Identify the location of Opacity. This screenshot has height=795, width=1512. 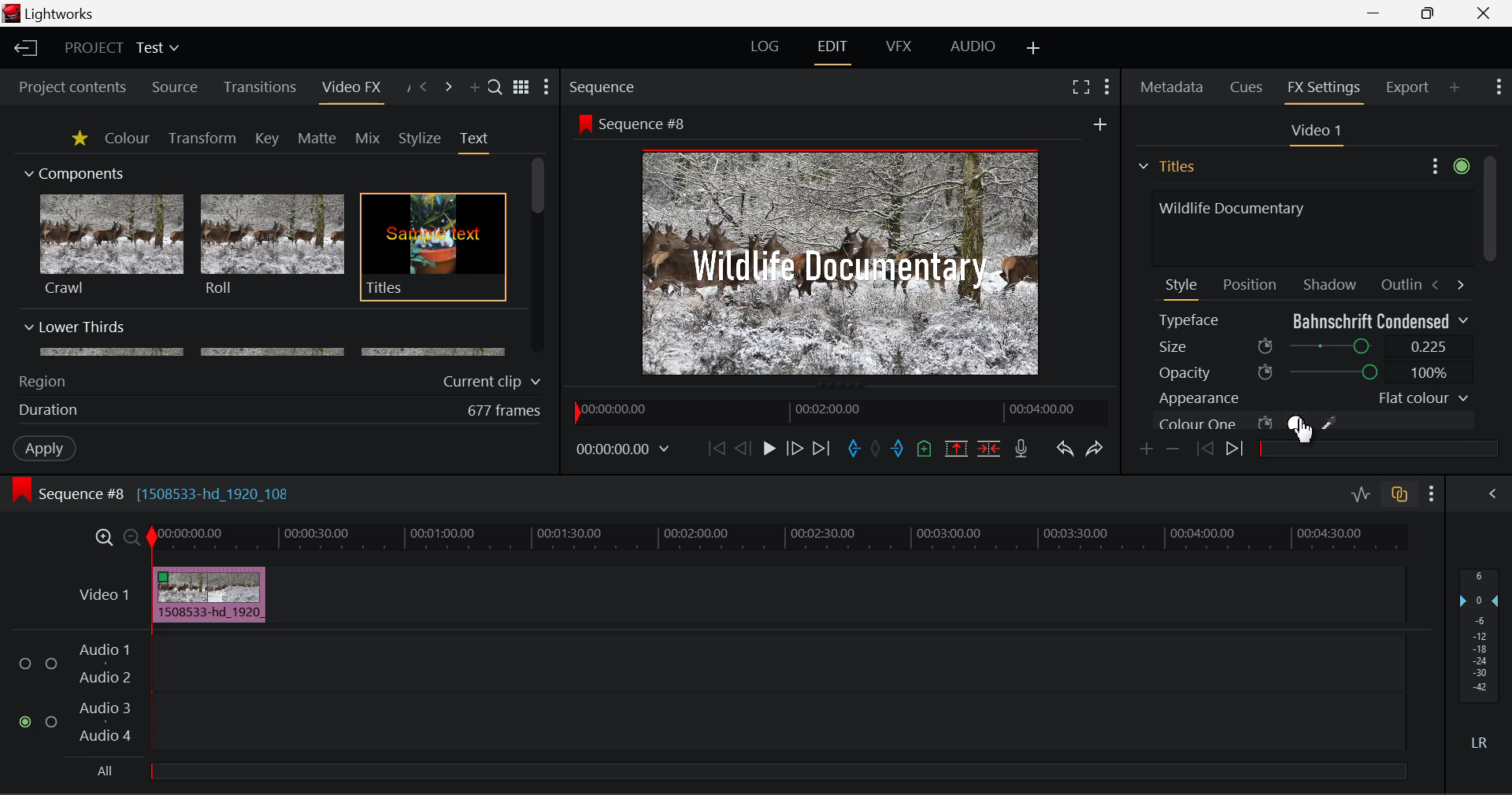
(1314, 372).